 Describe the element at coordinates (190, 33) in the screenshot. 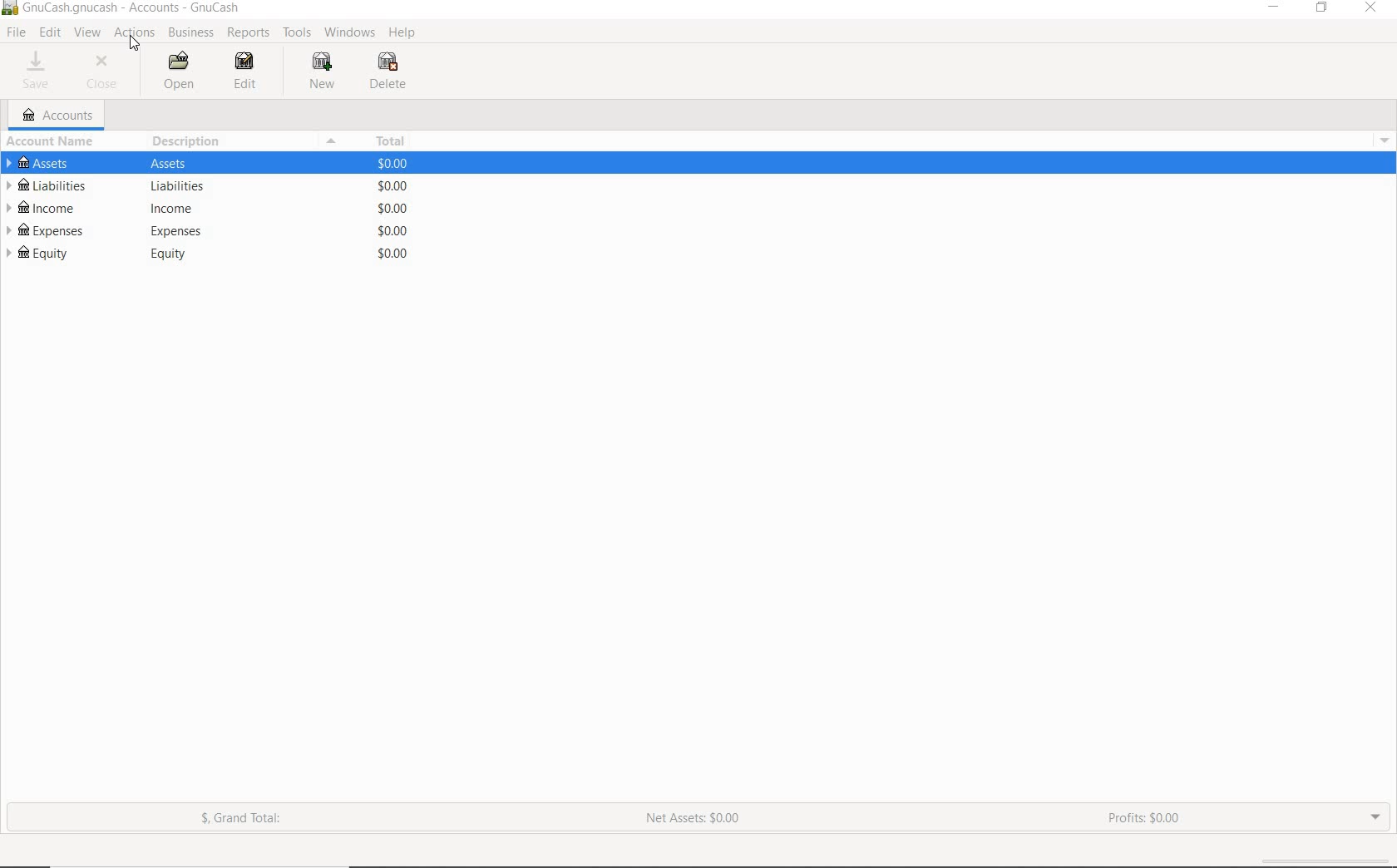

I see `BUSINESS` at that location.